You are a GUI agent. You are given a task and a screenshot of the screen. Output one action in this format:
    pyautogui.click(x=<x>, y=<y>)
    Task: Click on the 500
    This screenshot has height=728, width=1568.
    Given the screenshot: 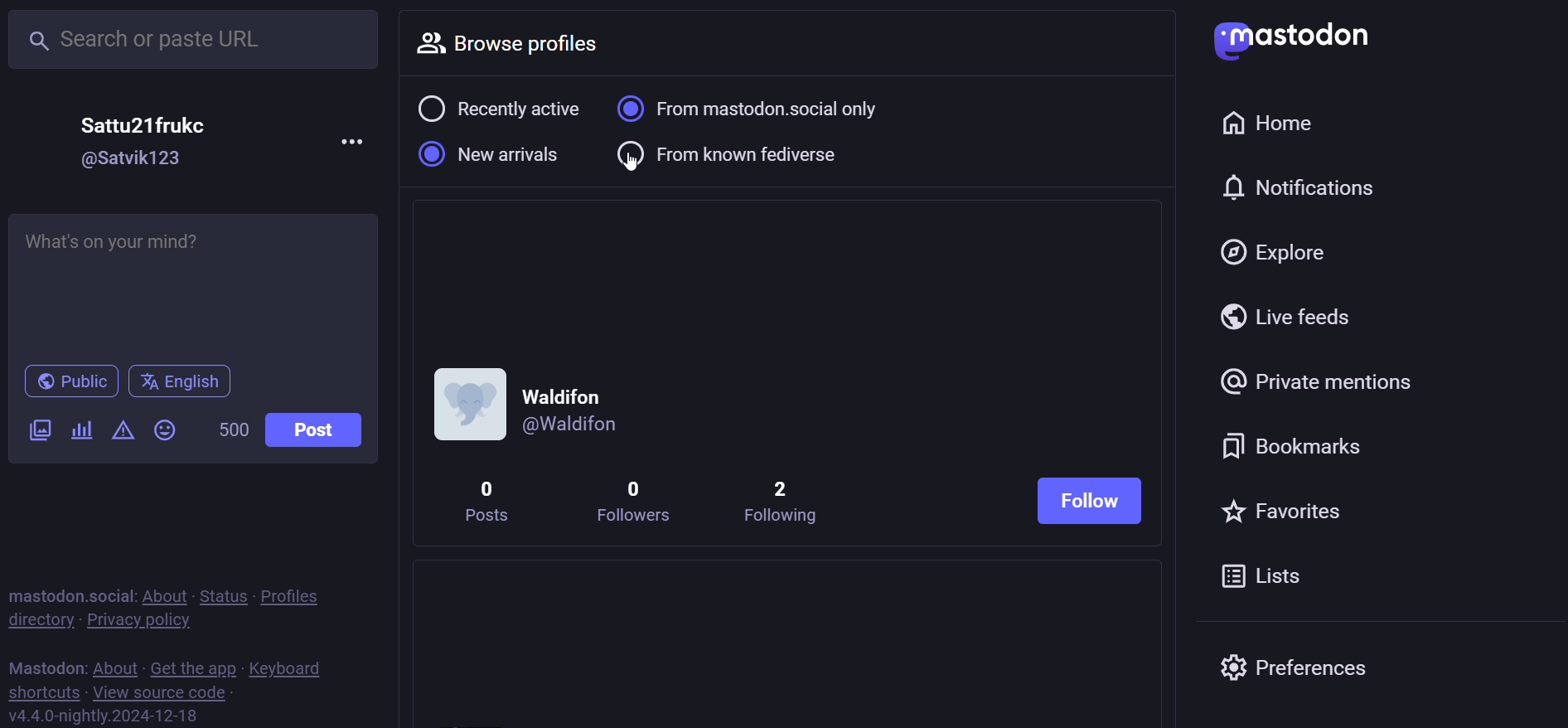 What is the action you would take?
    pyautogui.click(x=232, y=429)
    